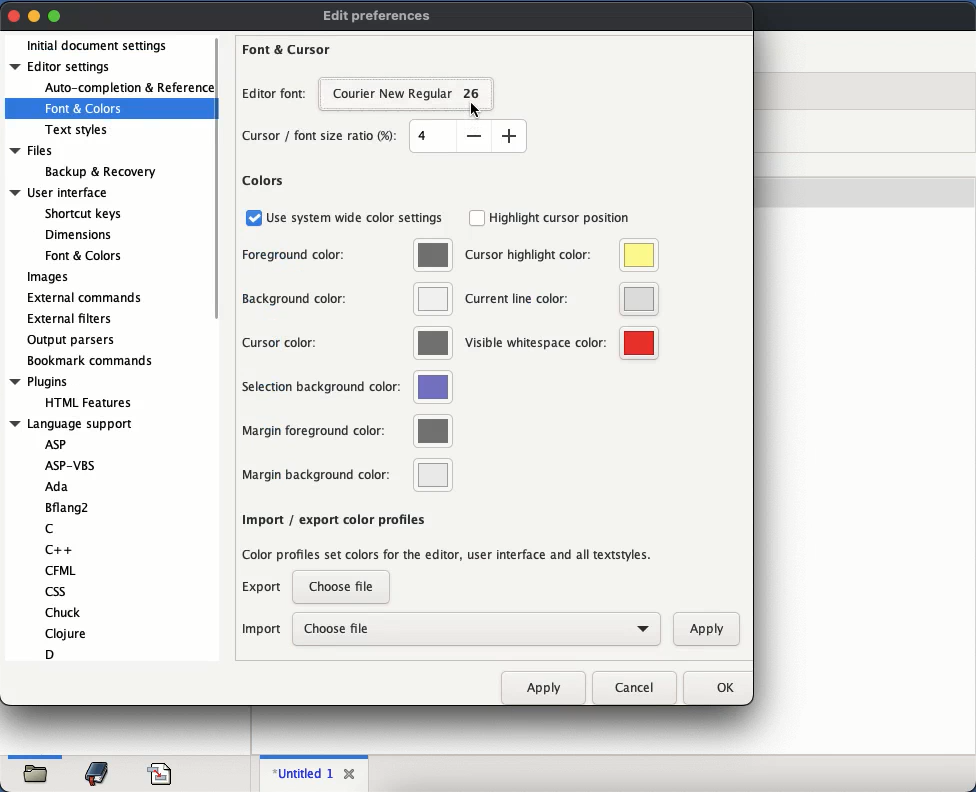  What do you see at coordinates (88, 298) in the screenshot?
I see `external commands` at bounding box center [88, 298].